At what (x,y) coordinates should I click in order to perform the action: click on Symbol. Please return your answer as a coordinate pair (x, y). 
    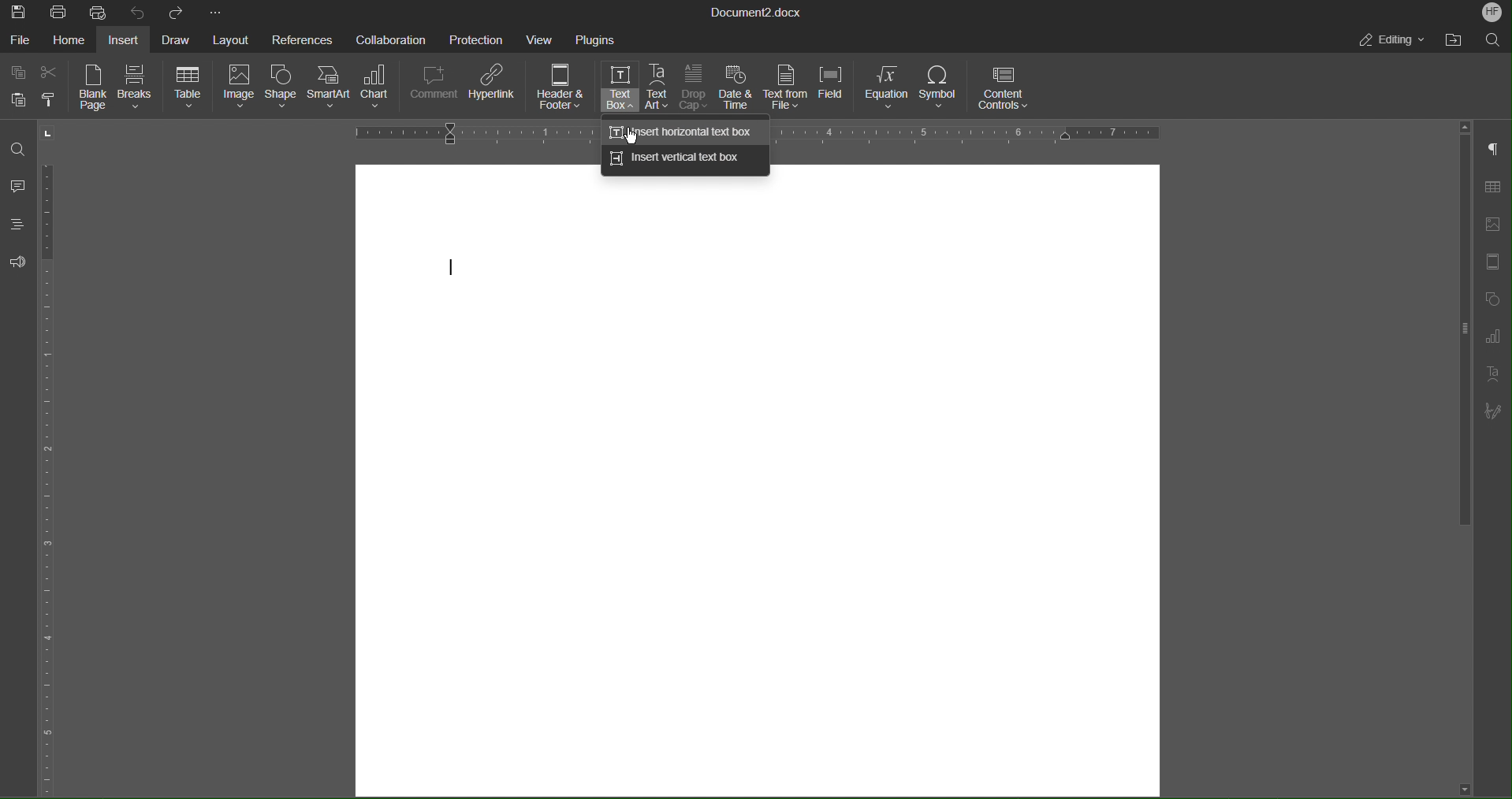
    Looking at the image, I should click on (940, 88).